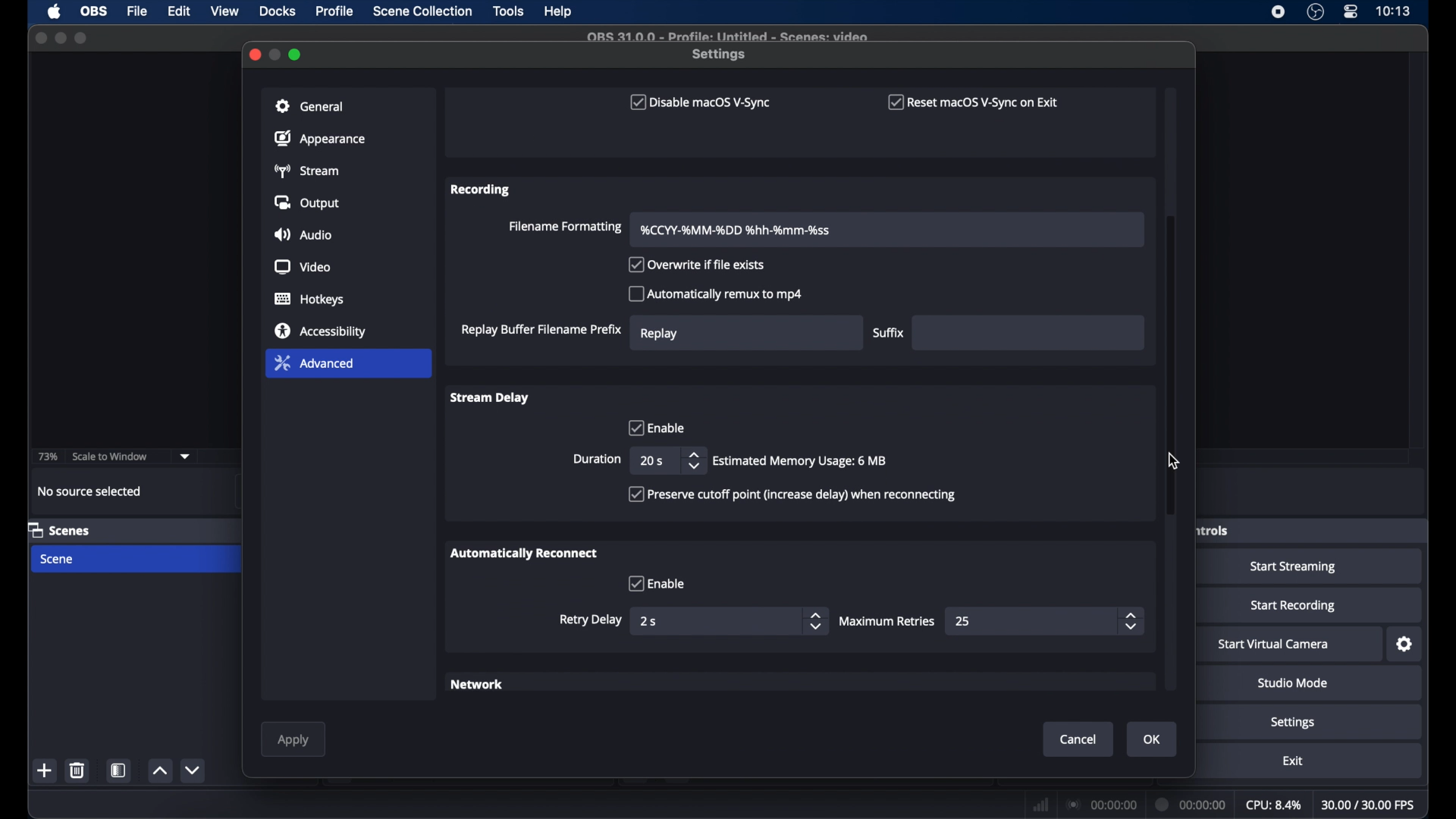 The height and width of the screenshot is (819, 1456). Describe the element at coordinates (1293, 684) in the screenshot. I see `studio mode` at that location.